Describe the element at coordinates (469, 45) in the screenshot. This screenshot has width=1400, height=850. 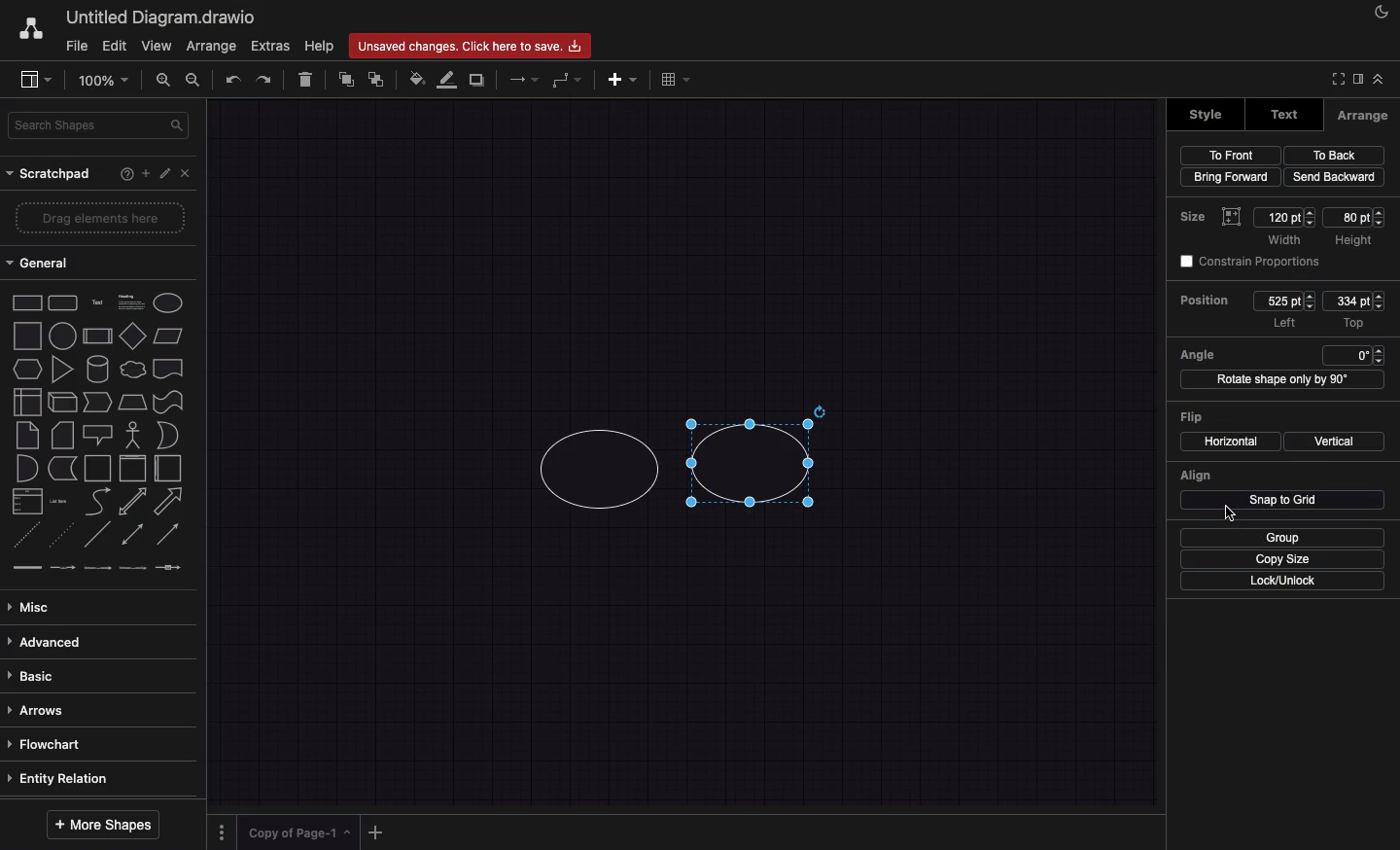
I see `Unsaved changes. Click her to save.` at that location.